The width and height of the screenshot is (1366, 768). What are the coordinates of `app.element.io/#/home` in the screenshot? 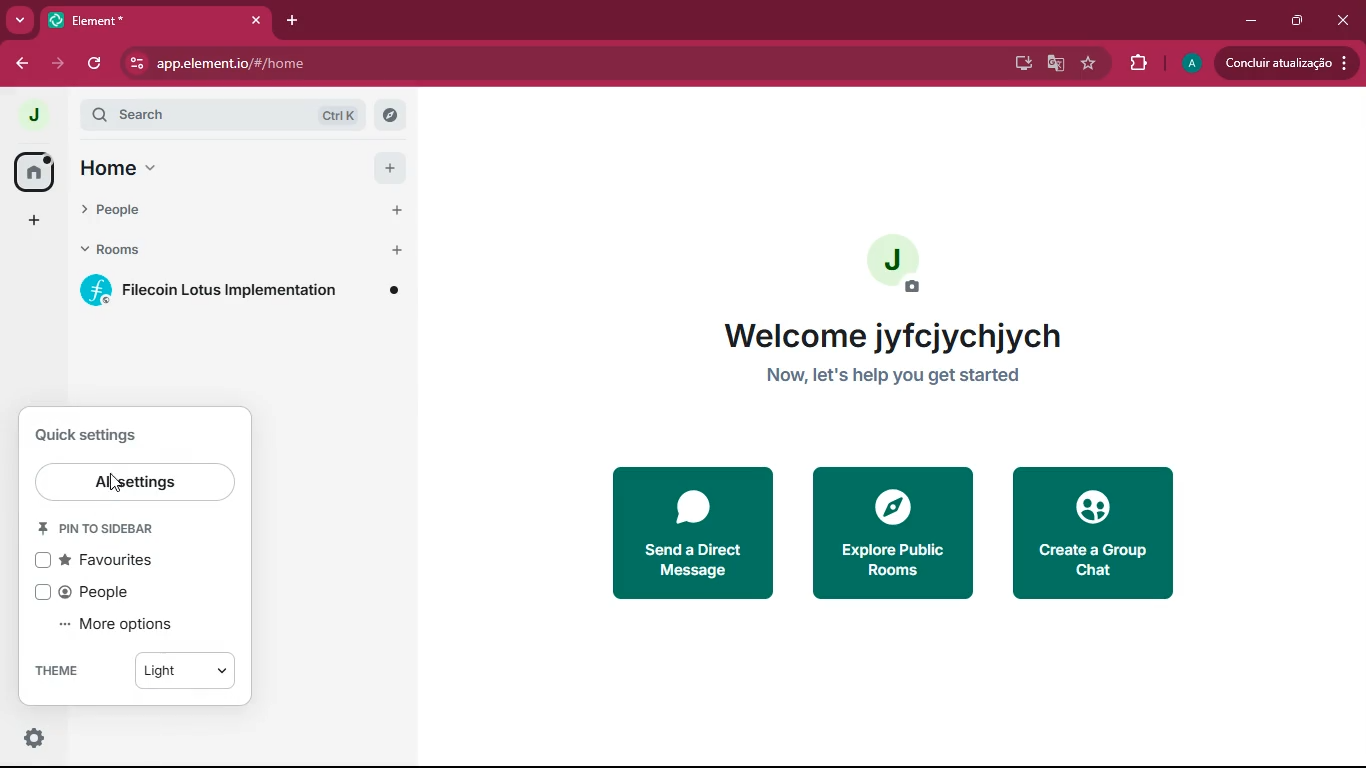 It's located at (495, 65).